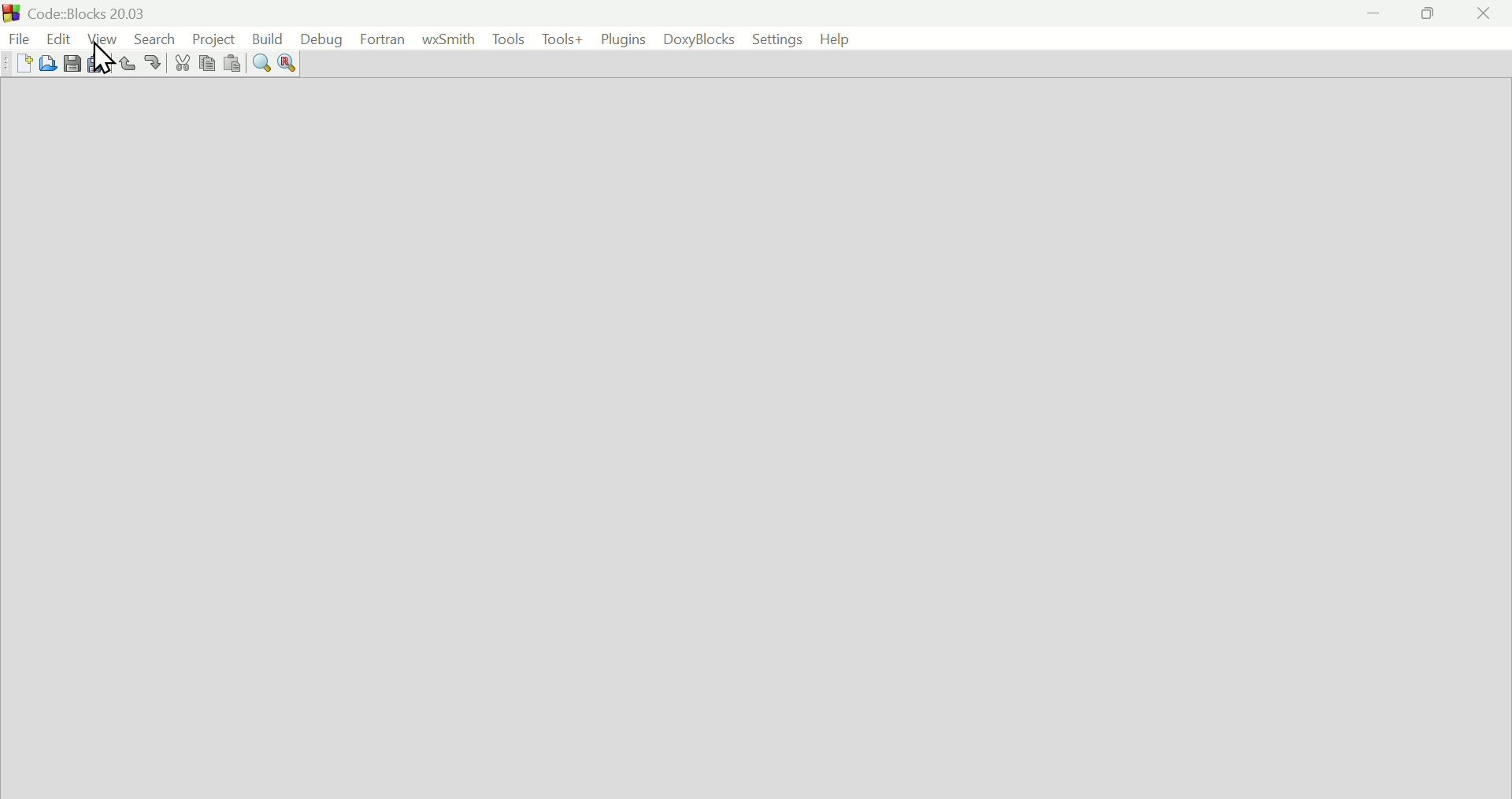 This screenshot has width=1512, height=799. Describe the element at coordinates (22, 63) in the screenshot. I see `New file` at that location.